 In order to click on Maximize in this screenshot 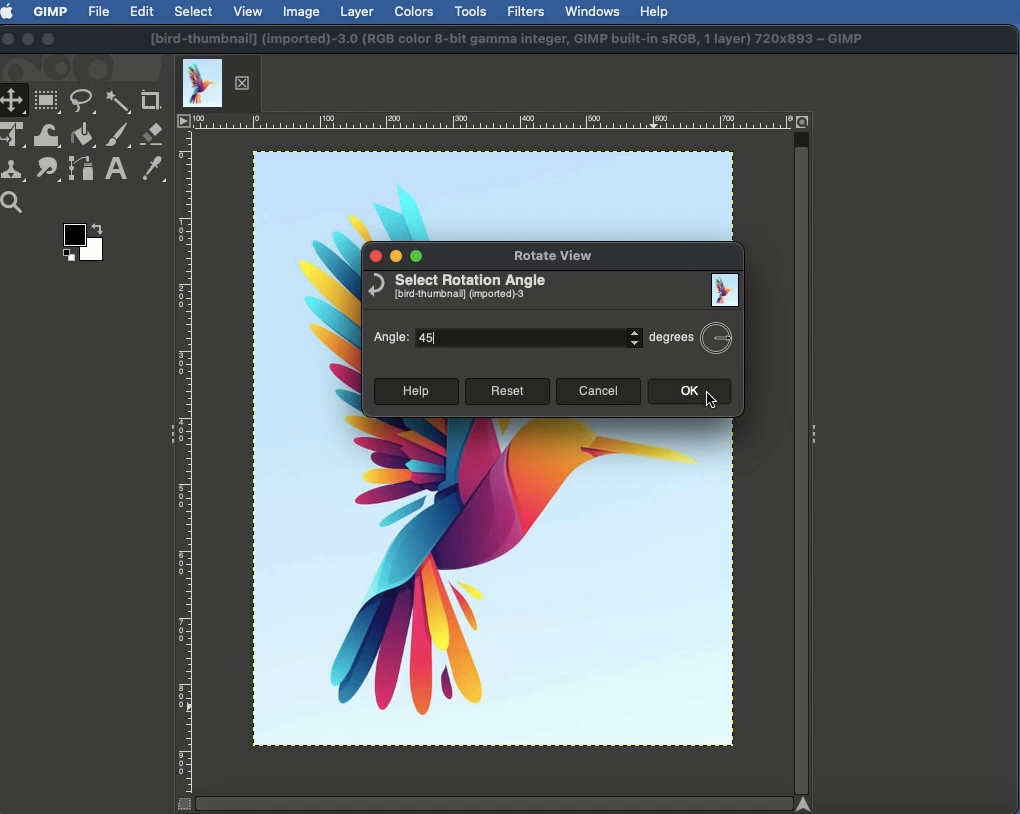, I will do `click(48, 41)`.